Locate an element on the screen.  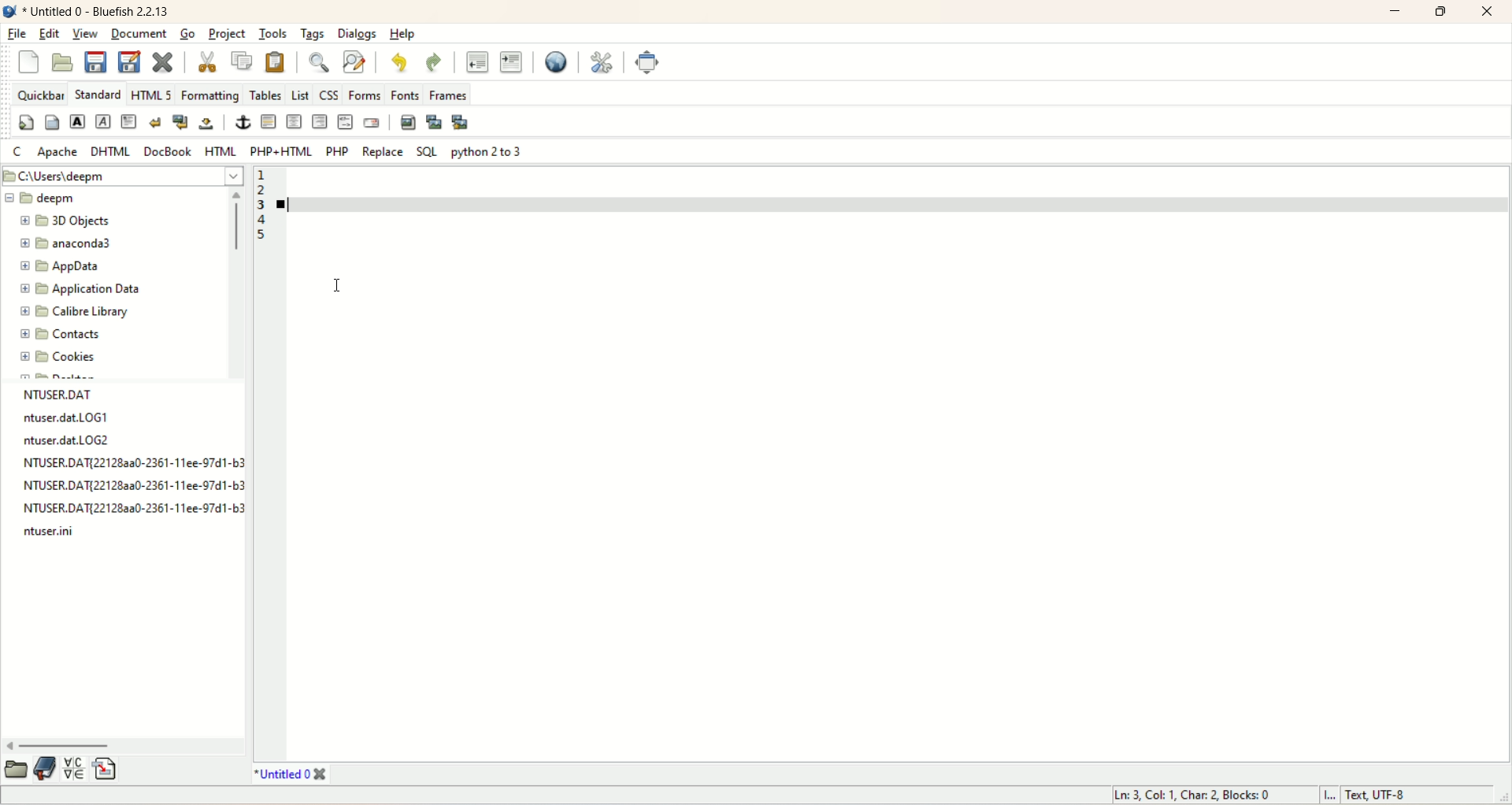
edit is located at coordinates (49, 34).